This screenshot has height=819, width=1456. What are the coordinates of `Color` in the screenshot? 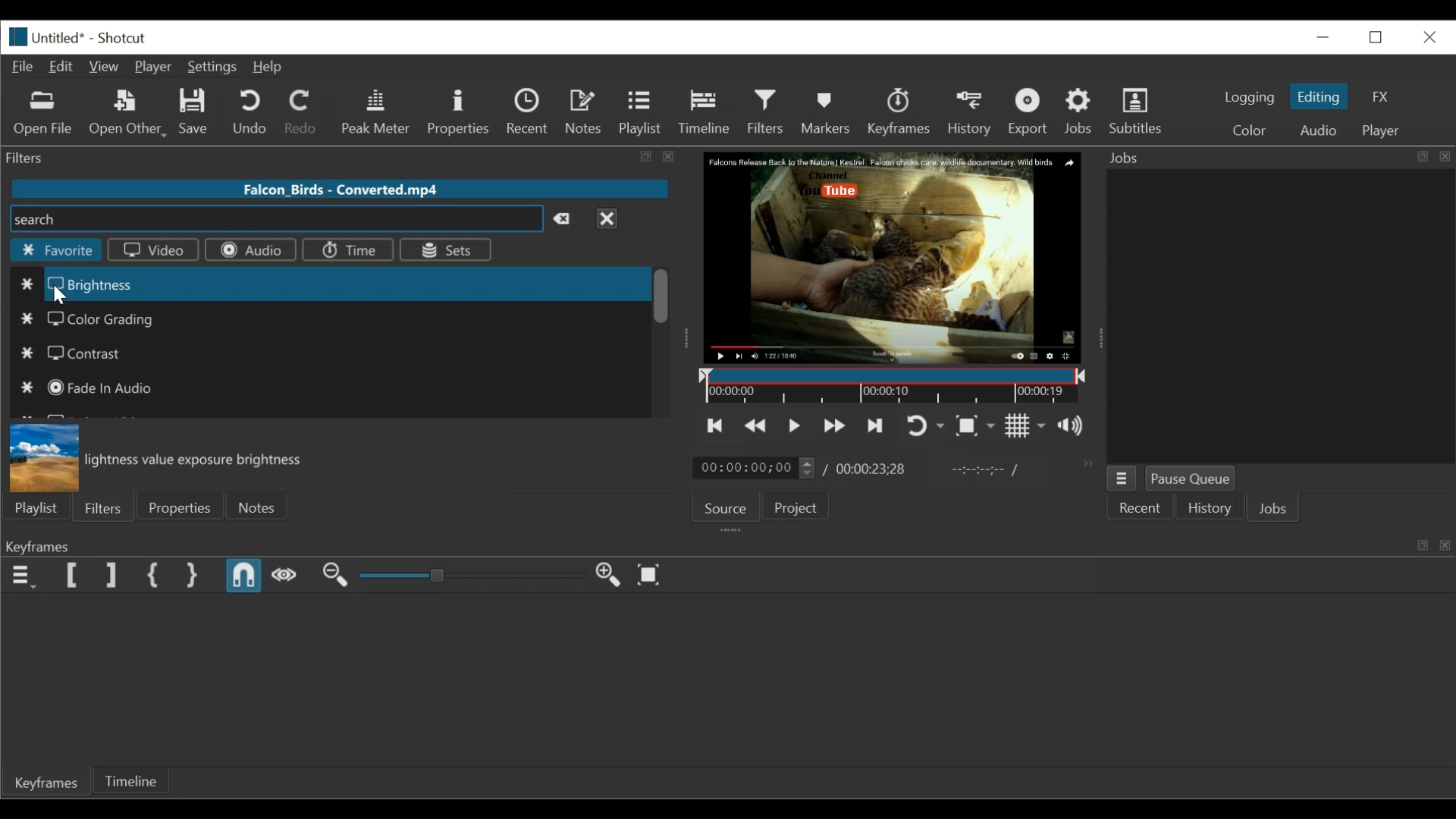 It's located at (1250, 129).